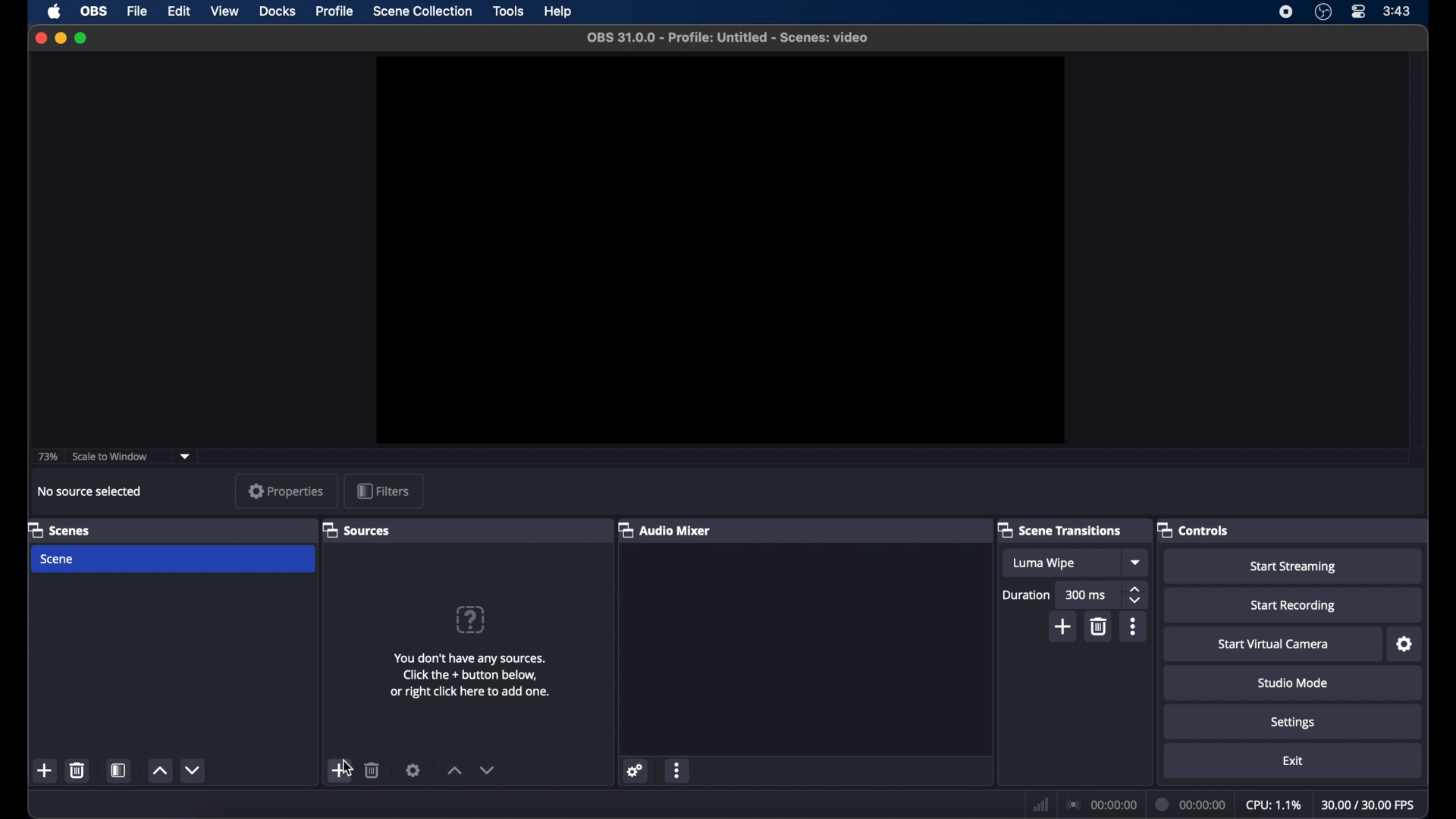  What do you see at coordinates (635, 770) in the screenshot?
I see `settings` at bounding box center [635, 770].